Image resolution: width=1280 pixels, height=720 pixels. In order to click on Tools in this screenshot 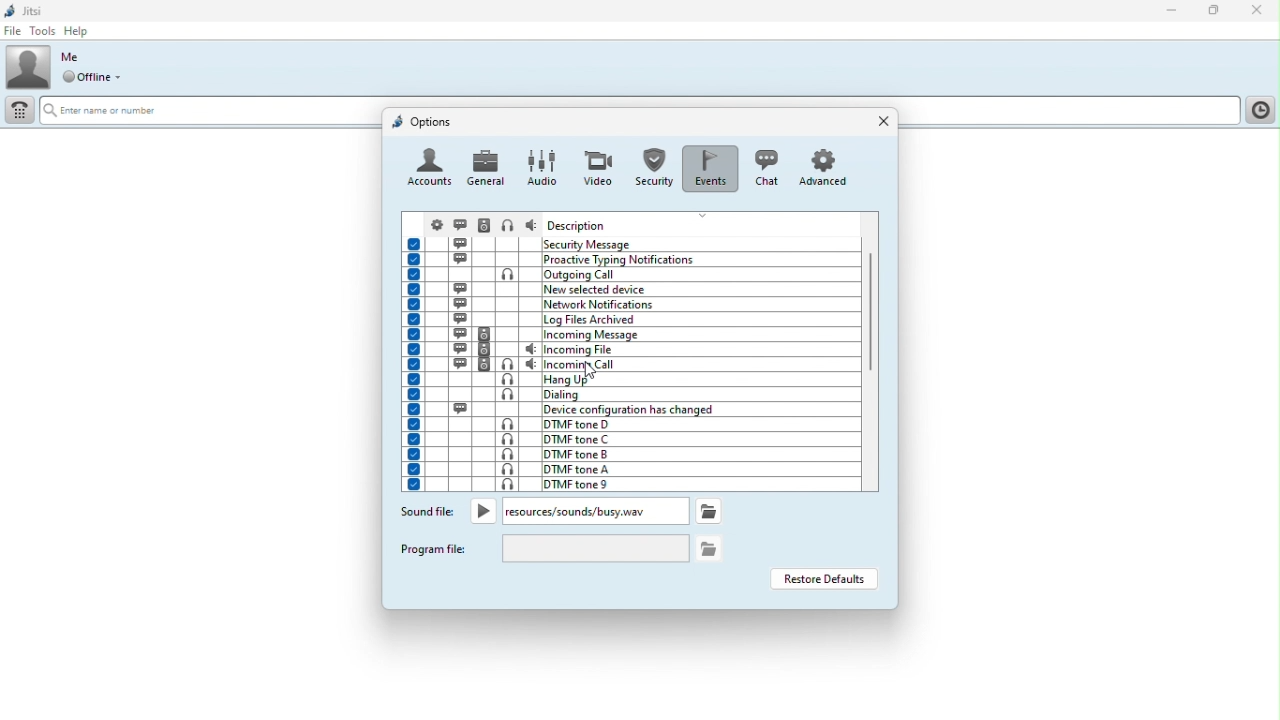, I will do `click(42, 31)`.